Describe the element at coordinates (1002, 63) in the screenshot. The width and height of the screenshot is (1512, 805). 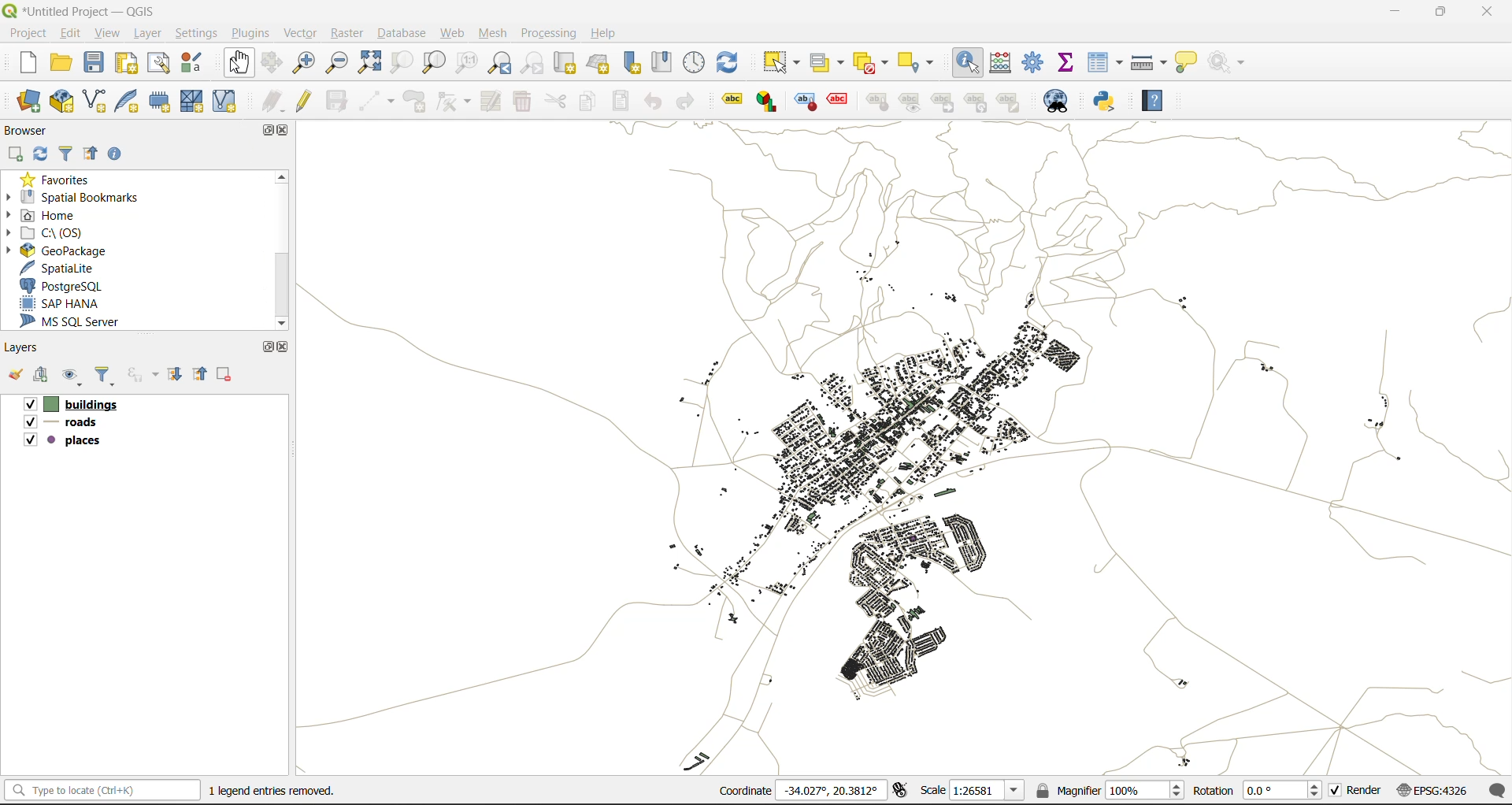
I see `calculator` at that location.